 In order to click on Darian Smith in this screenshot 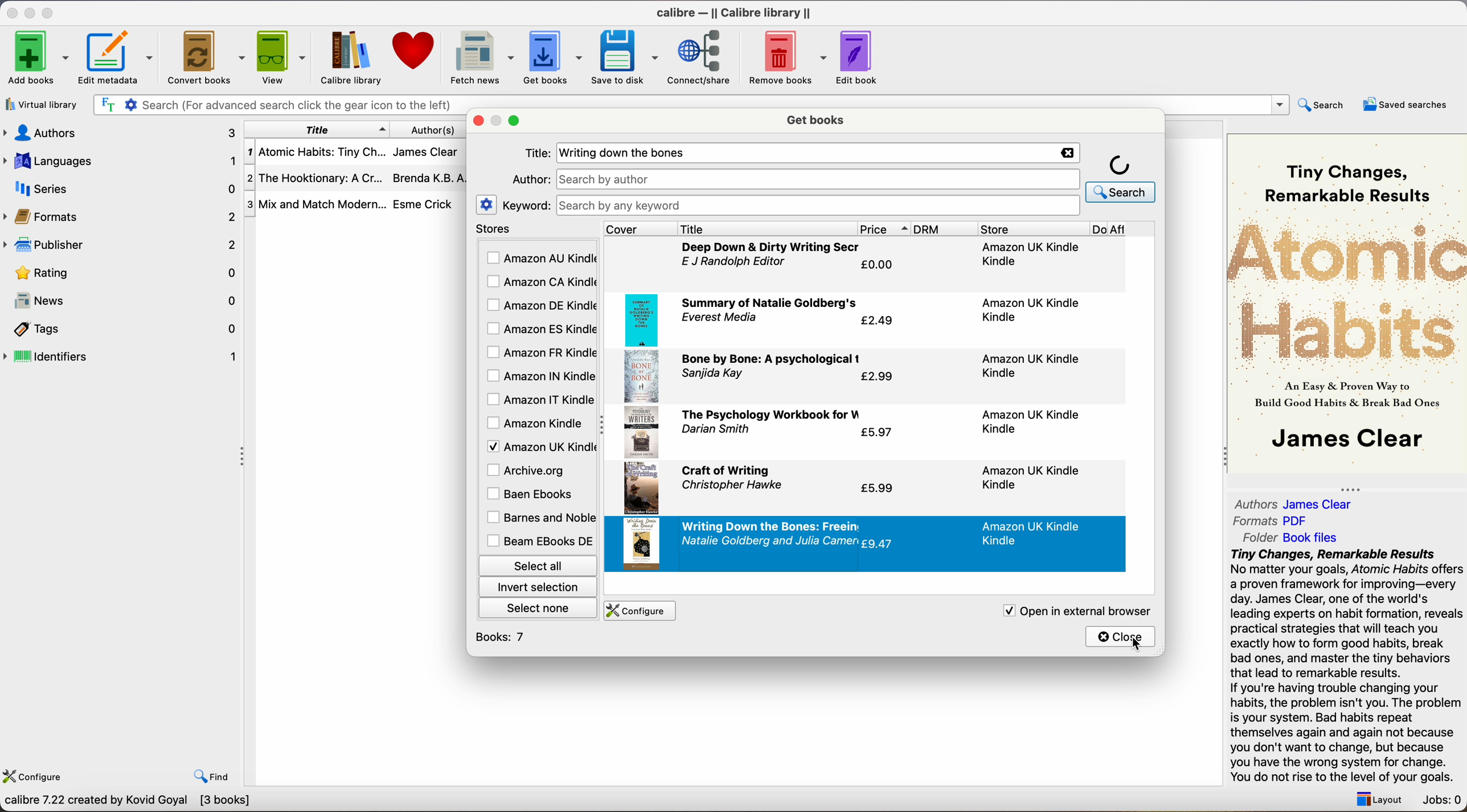, I will do `click(716, 430)`.